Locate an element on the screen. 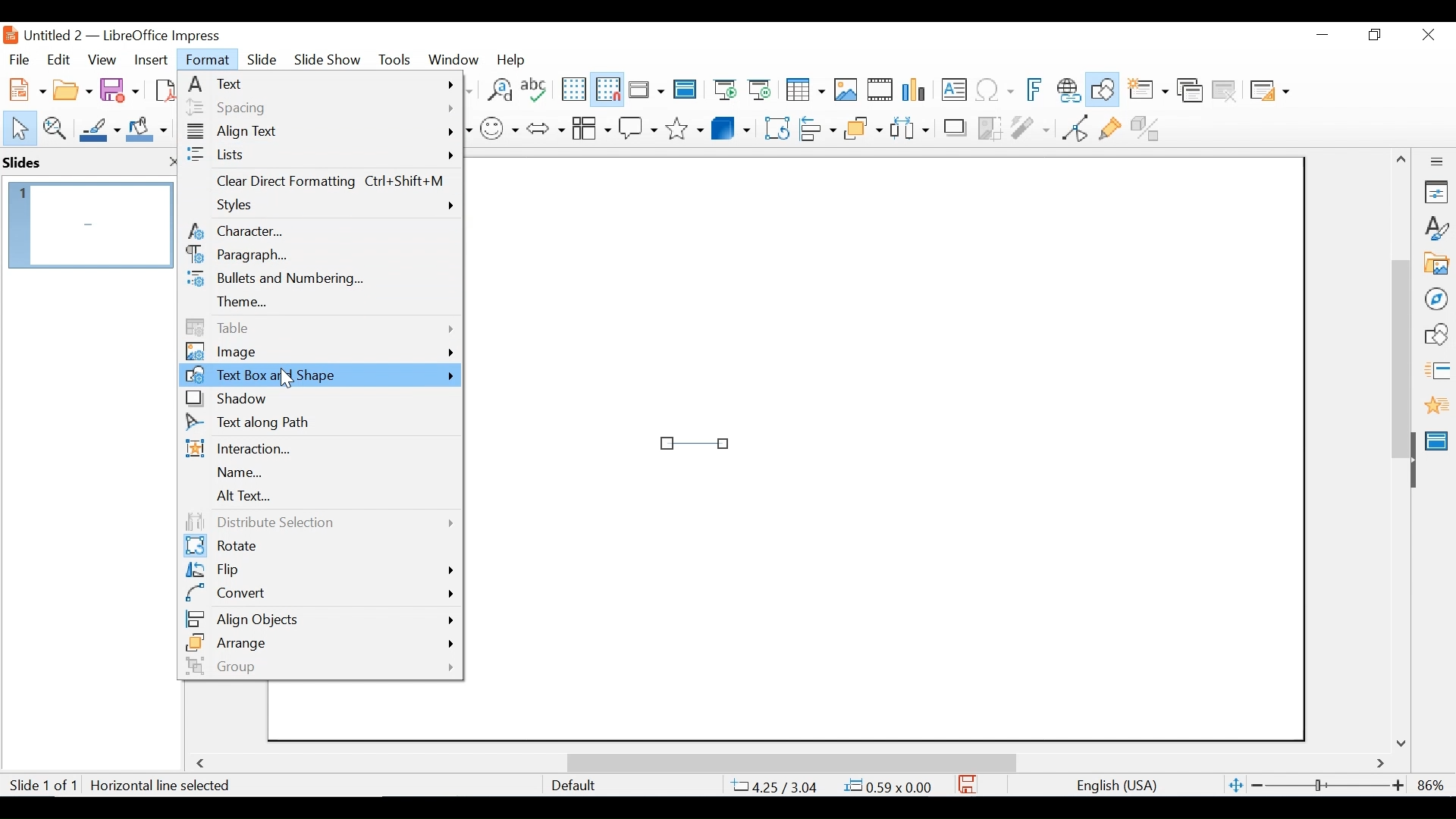 The width and height of the screenshot is (1456, 819). Show Draw Functions is located at coordinates (1104, 90).